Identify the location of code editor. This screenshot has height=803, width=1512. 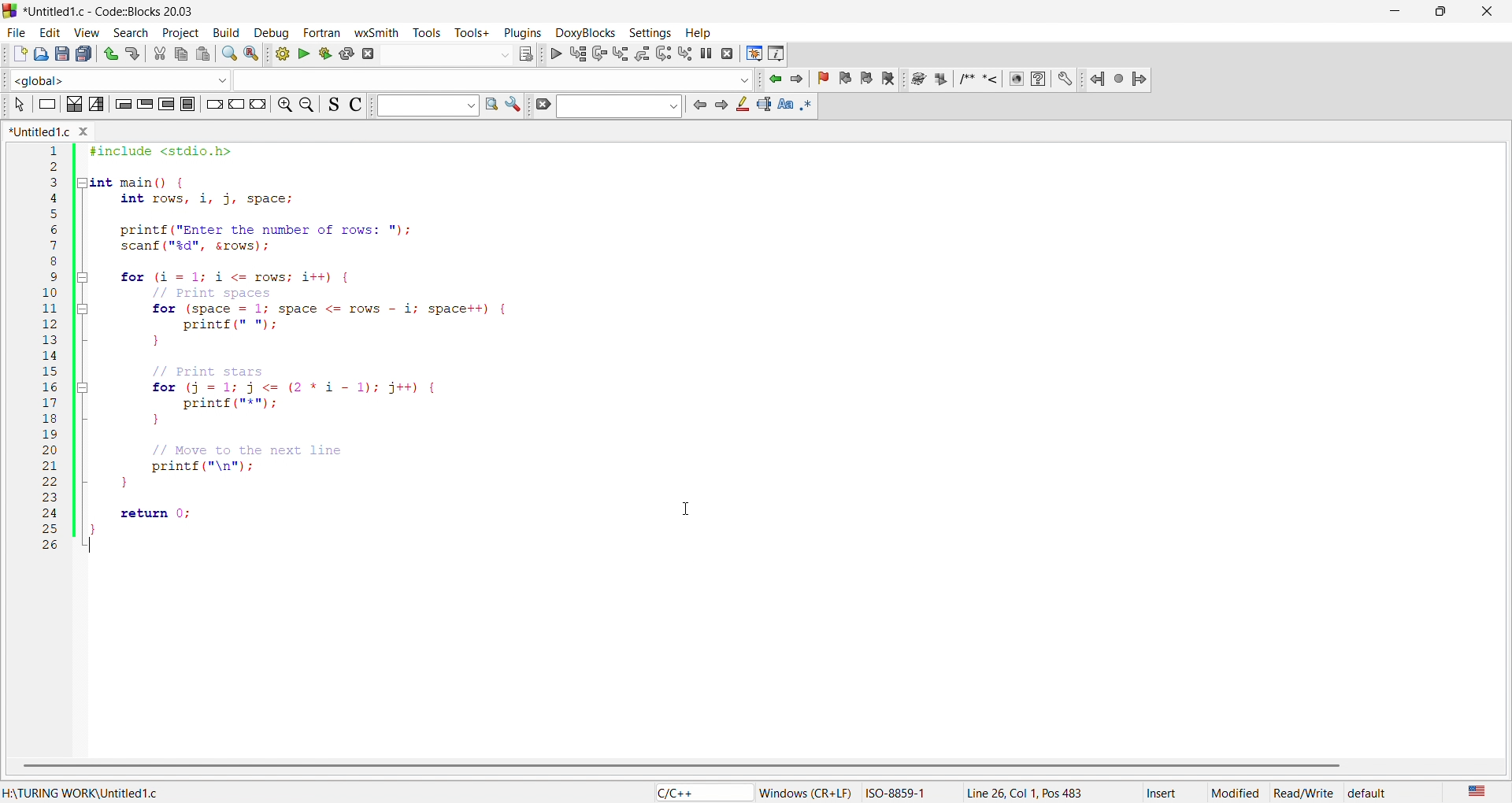
(331, 353).